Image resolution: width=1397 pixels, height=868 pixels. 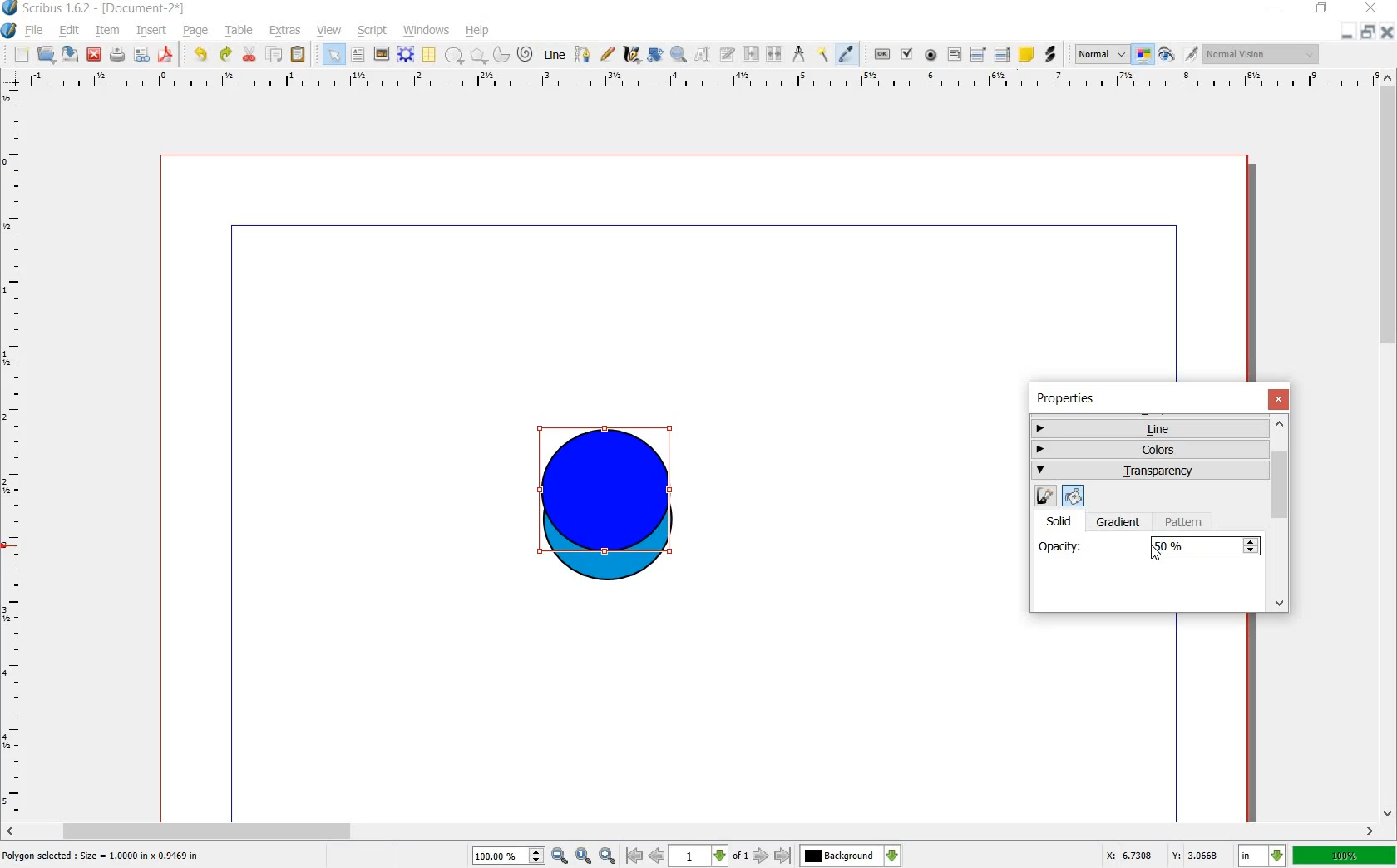 I want to click on preview mode, so click(x=1166, y=57).